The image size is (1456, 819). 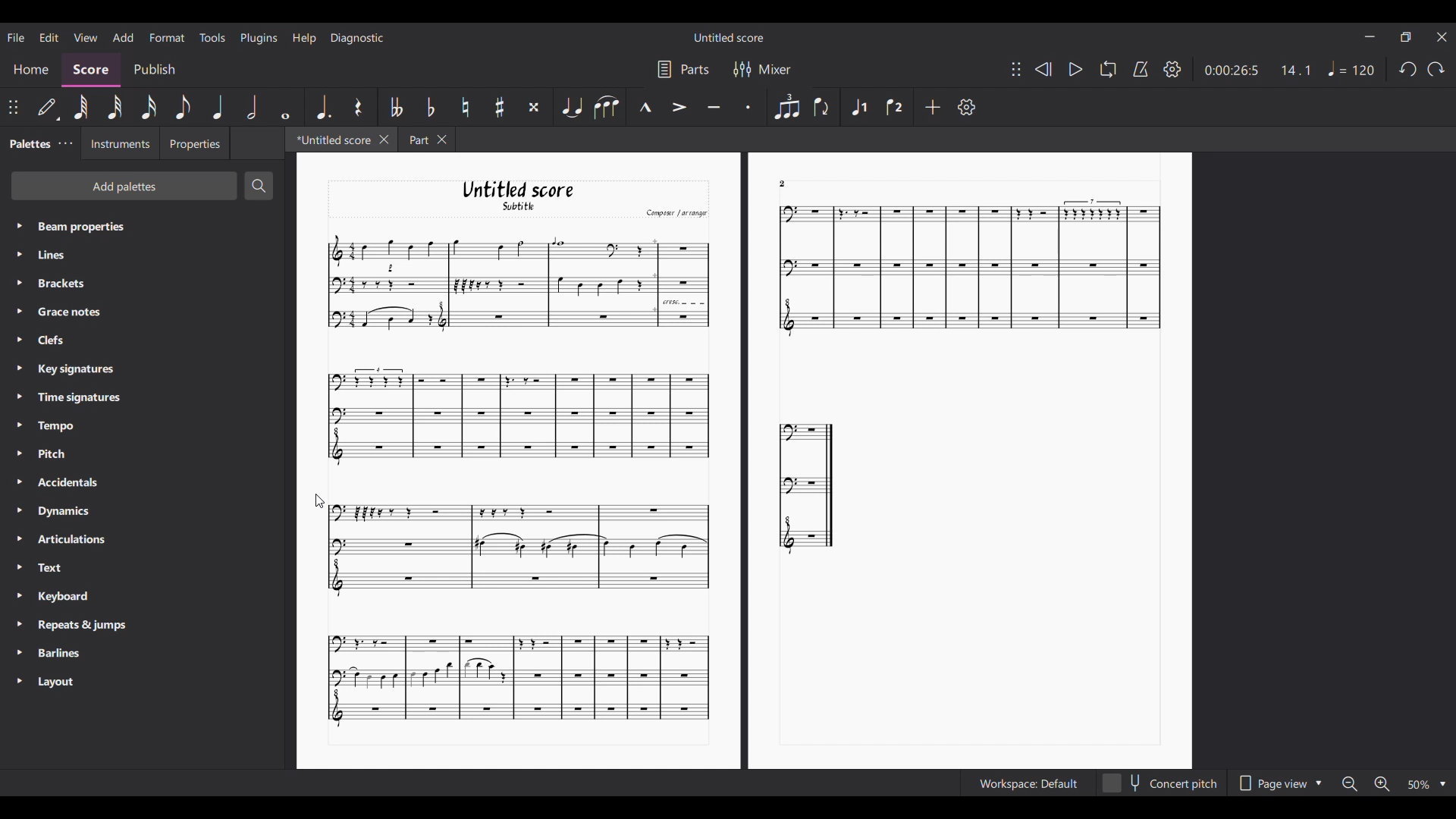 What do you see at coordinates (155, 71) in the screenshot?
I see `Publish ` at bounding box center [155, 71].